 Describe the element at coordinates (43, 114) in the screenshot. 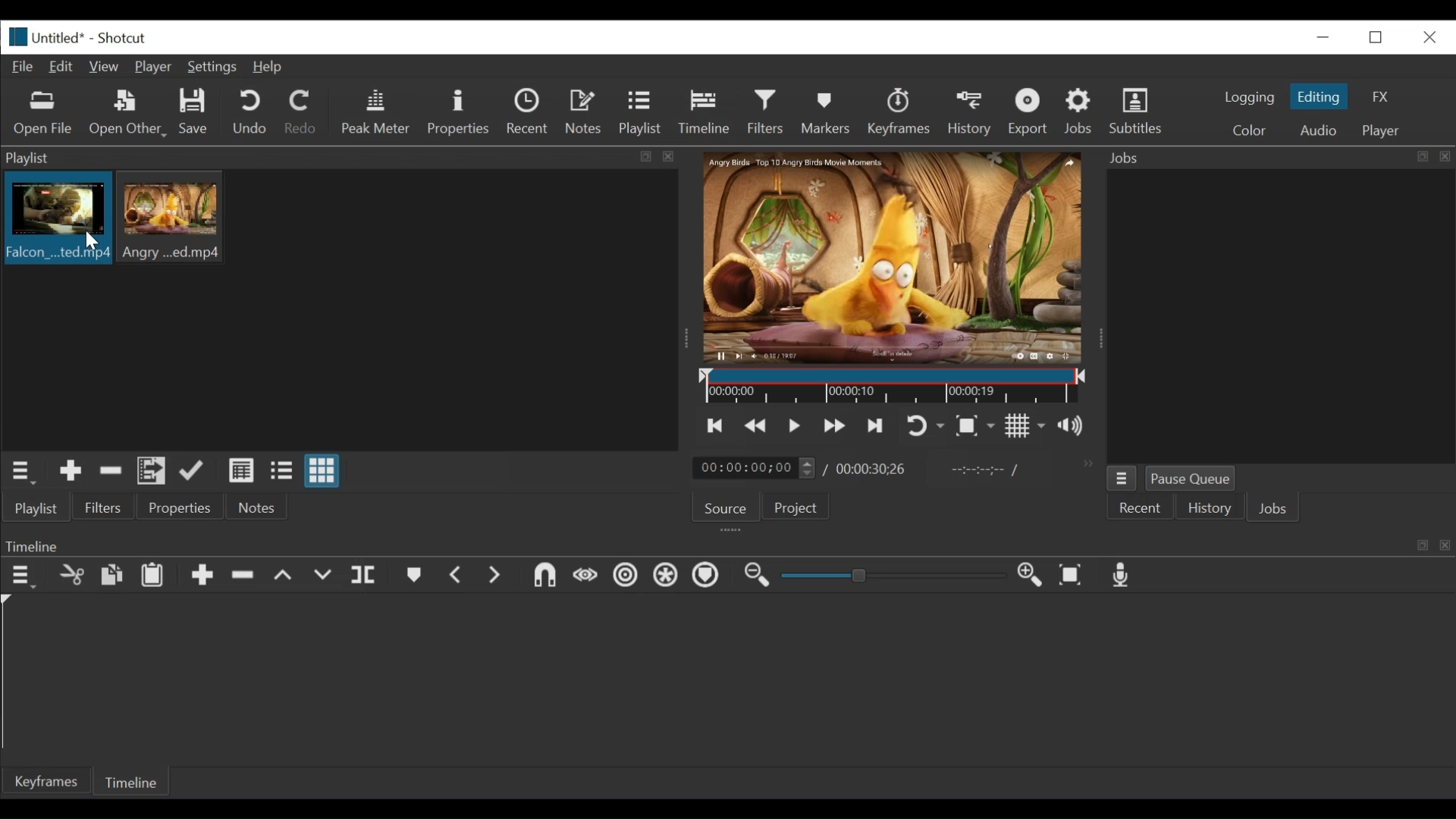

I see `Open file` at that location.